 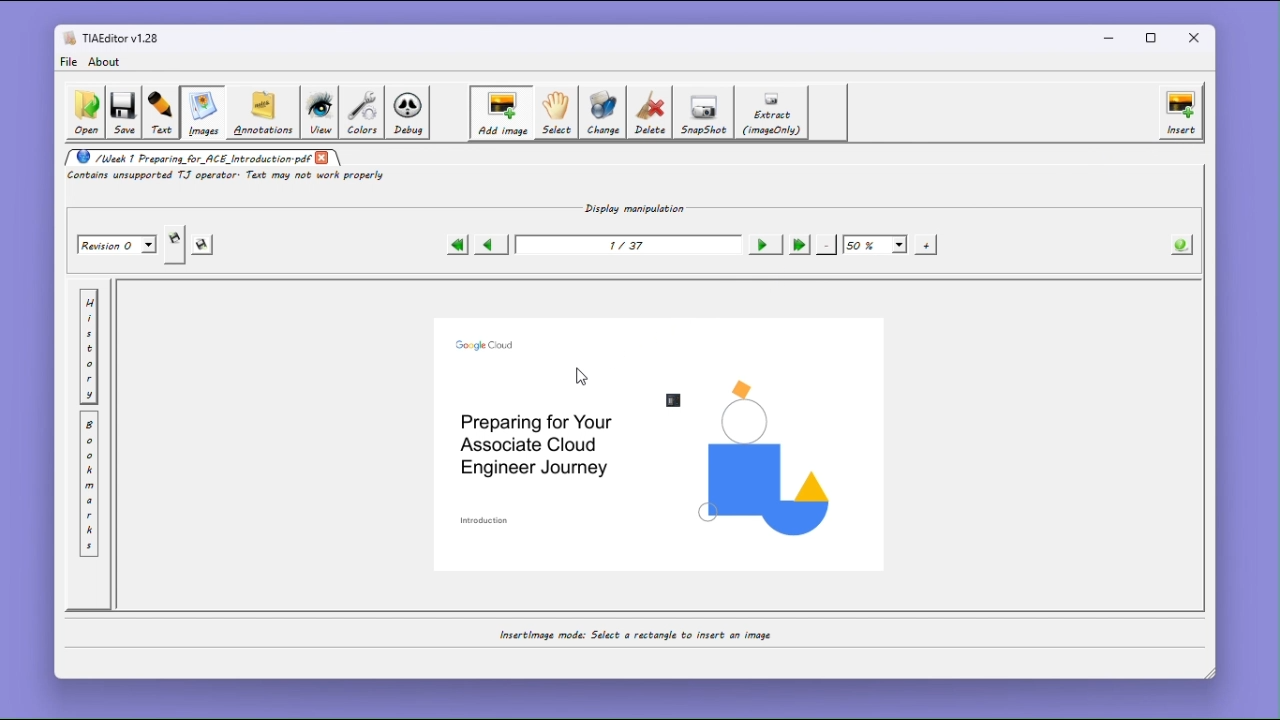 I want to click on Last page, so click(x=798, y=245).